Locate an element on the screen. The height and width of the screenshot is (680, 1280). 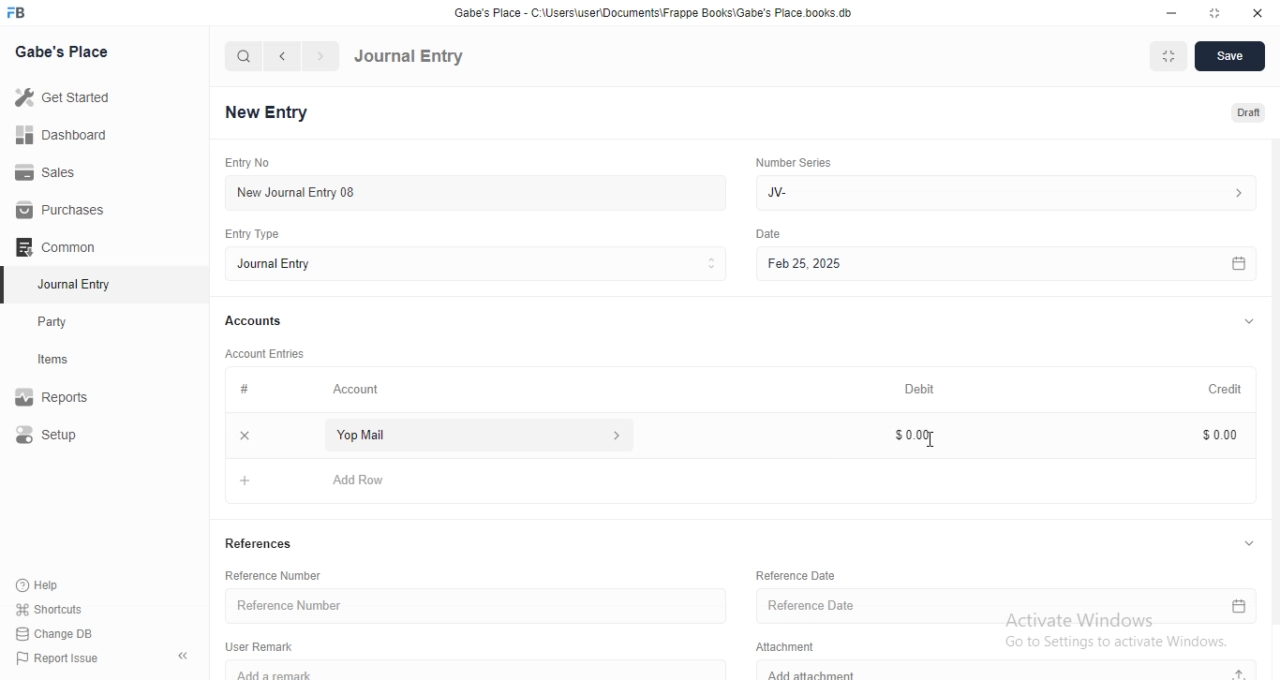
expand/collapse is located at coordinates (1248, 323).